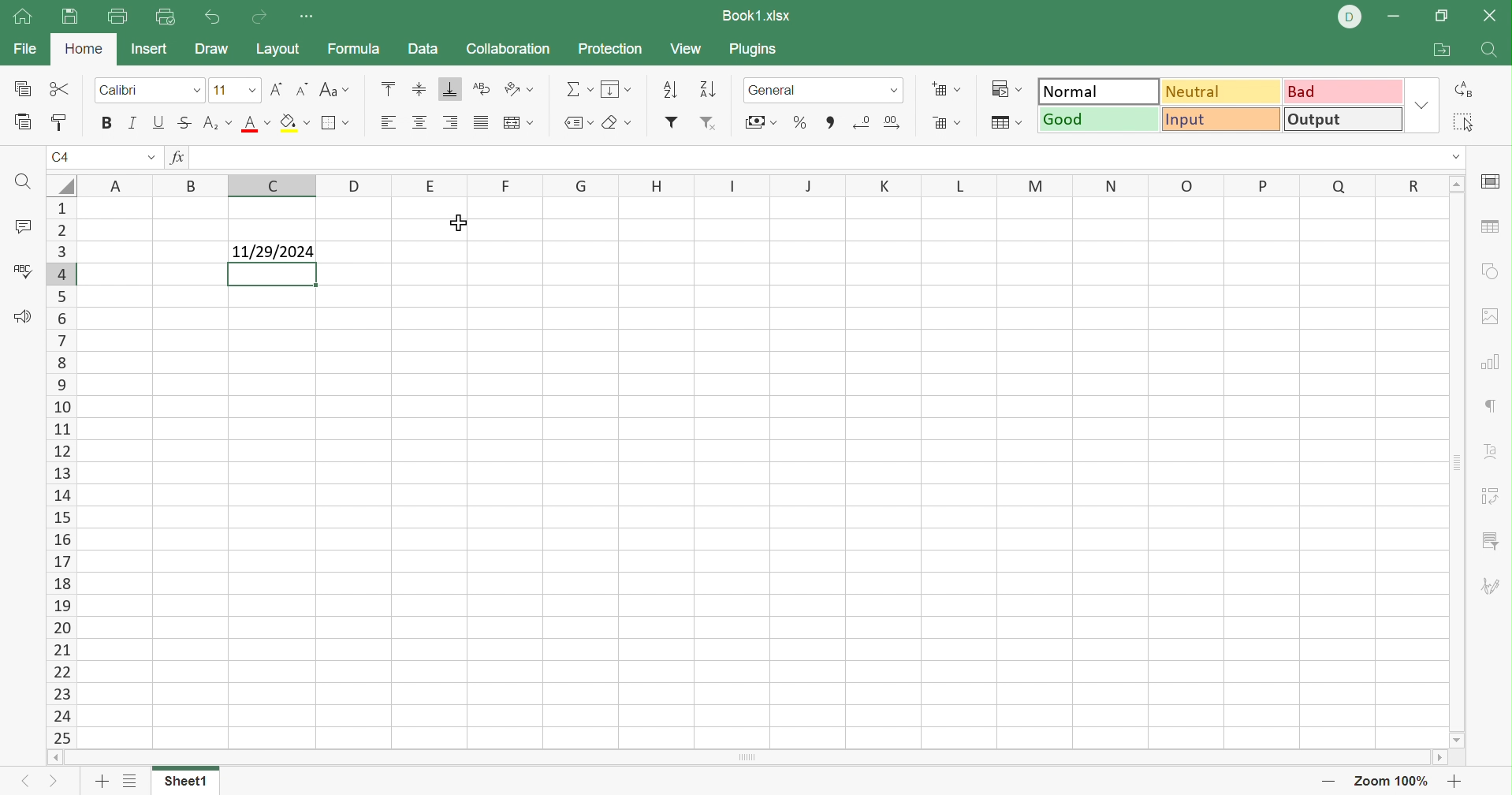 The height and width of the screenshot is (795, 1512). Describe the element at coordinates (310, 17) in the screenshot. I see `Customize quick access toolbar` at that location.